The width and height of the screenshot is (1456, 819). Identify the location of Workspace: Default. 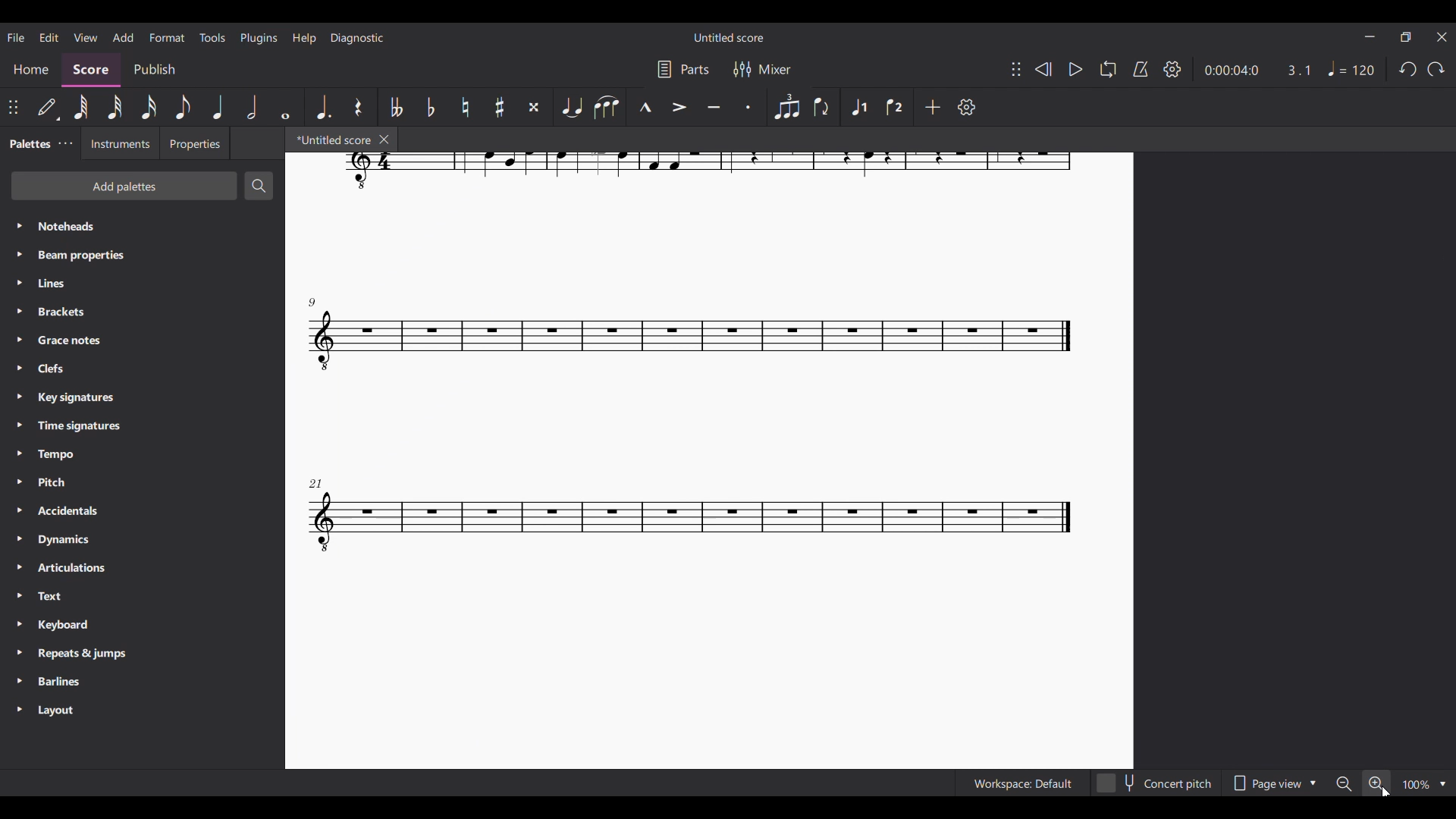
(1023, 784).